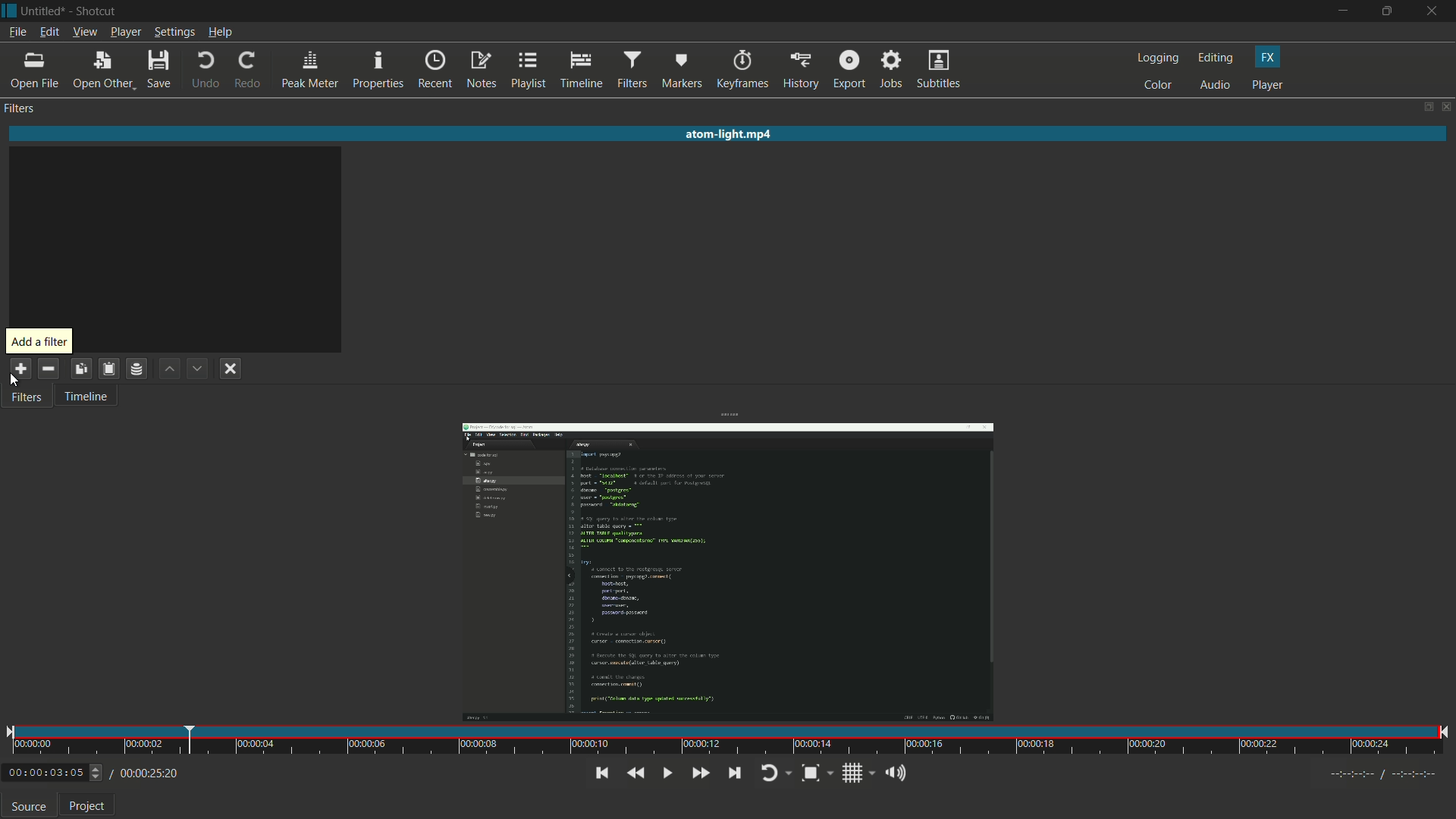 This screenshot has width=1456, height=819. Describe the element at coordinates (233, 370) in the screenshot. I see `deselect the filter` at that location.